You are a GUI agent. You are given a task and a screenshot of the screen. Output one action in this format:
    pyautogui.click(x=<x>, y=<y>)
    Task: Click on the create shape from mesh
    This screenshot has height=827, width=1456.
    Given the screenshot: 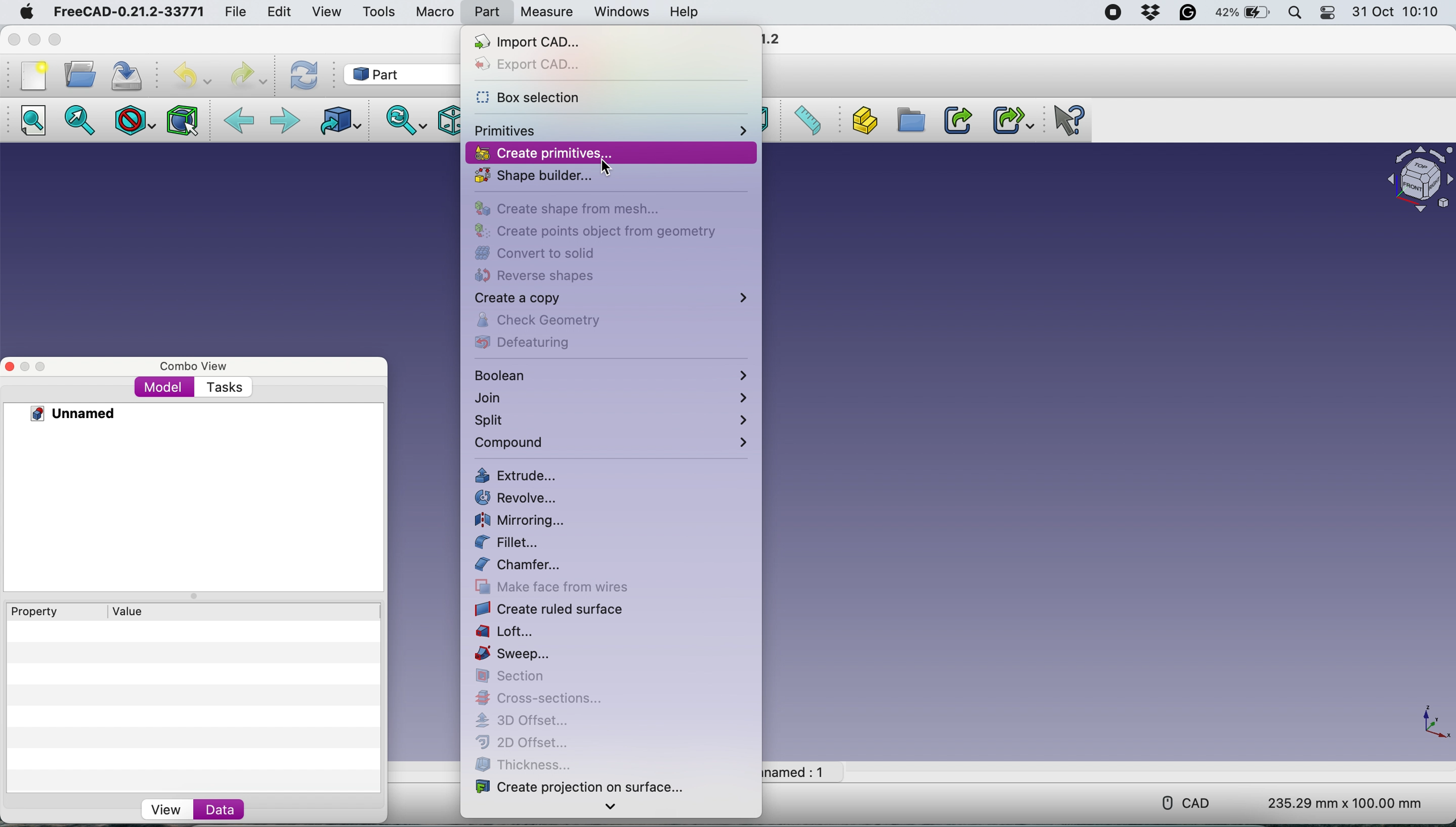 What is the action you would take?
    pyautogui.click(x=570, y=210)
    